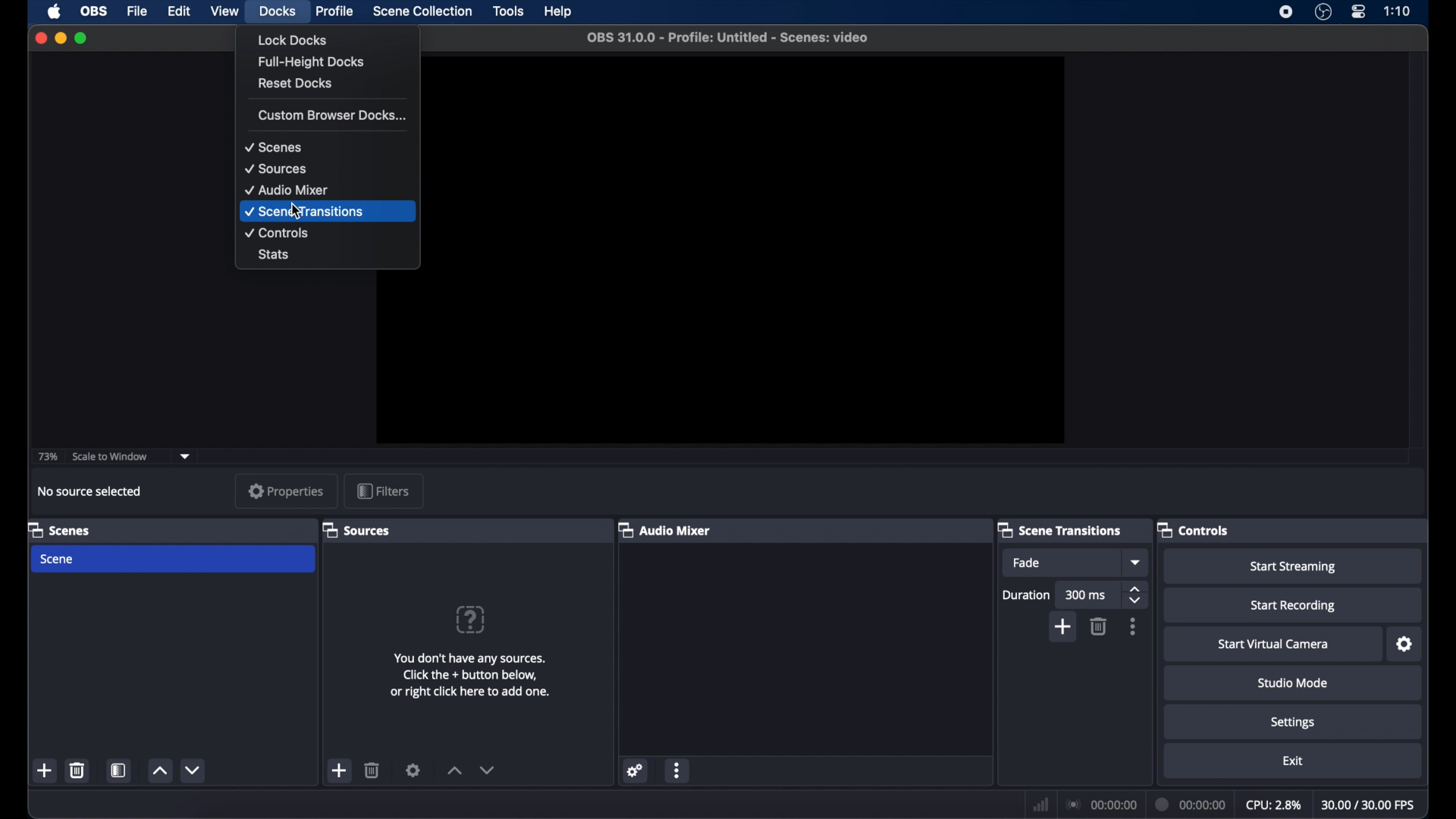 Image resolution: width=1456 pixels, height=819 pixels. Describe the element at coordinates (336, 11) in the screenshot. I see `profile` at that location.